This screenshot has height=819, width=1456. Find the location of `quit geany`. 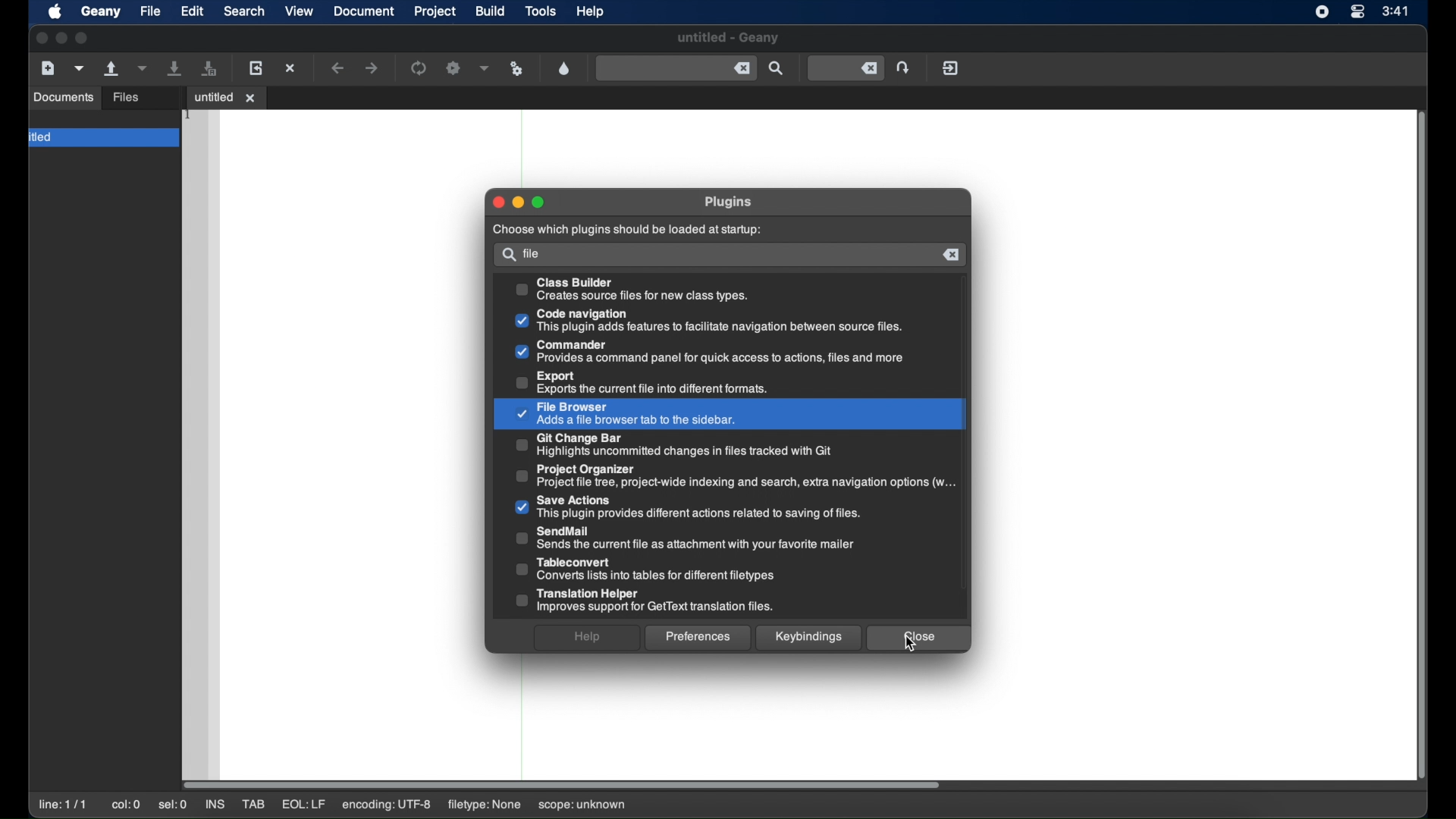

quit geany is located at coordinates (950, 68).